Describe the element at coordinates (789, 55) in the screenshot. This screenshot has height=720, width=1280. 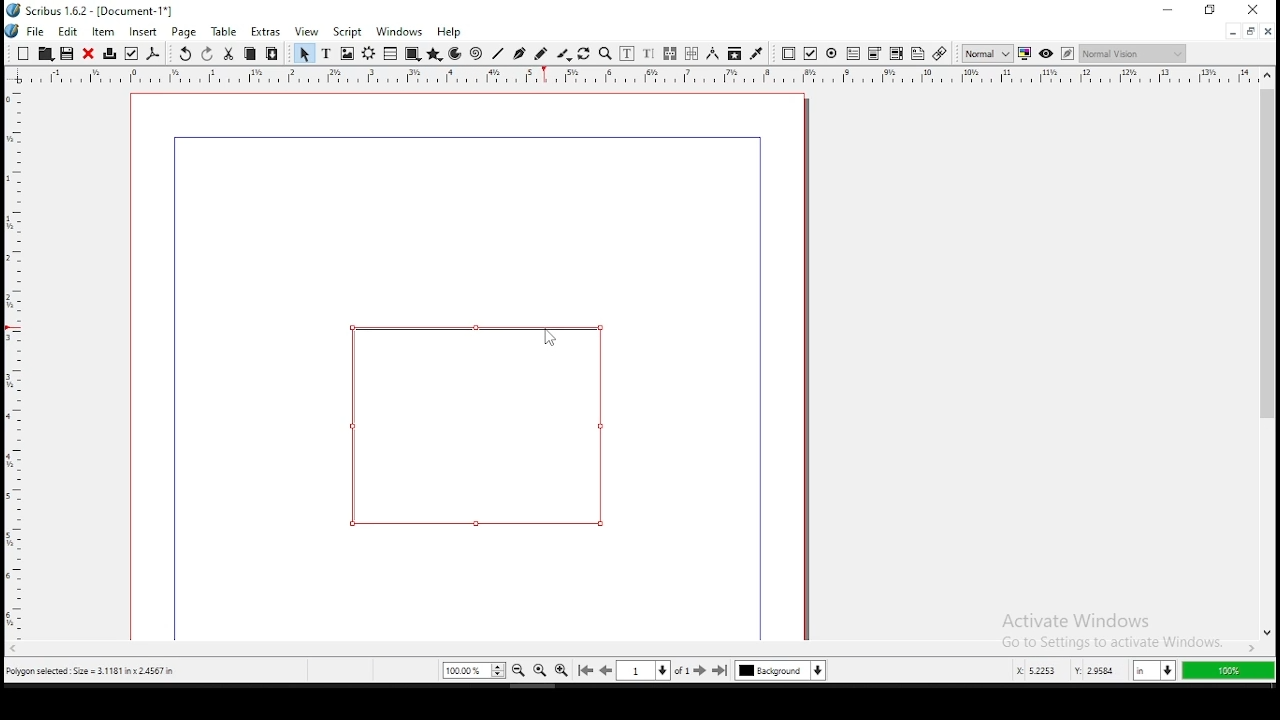
I see `pdf push button` at that location.